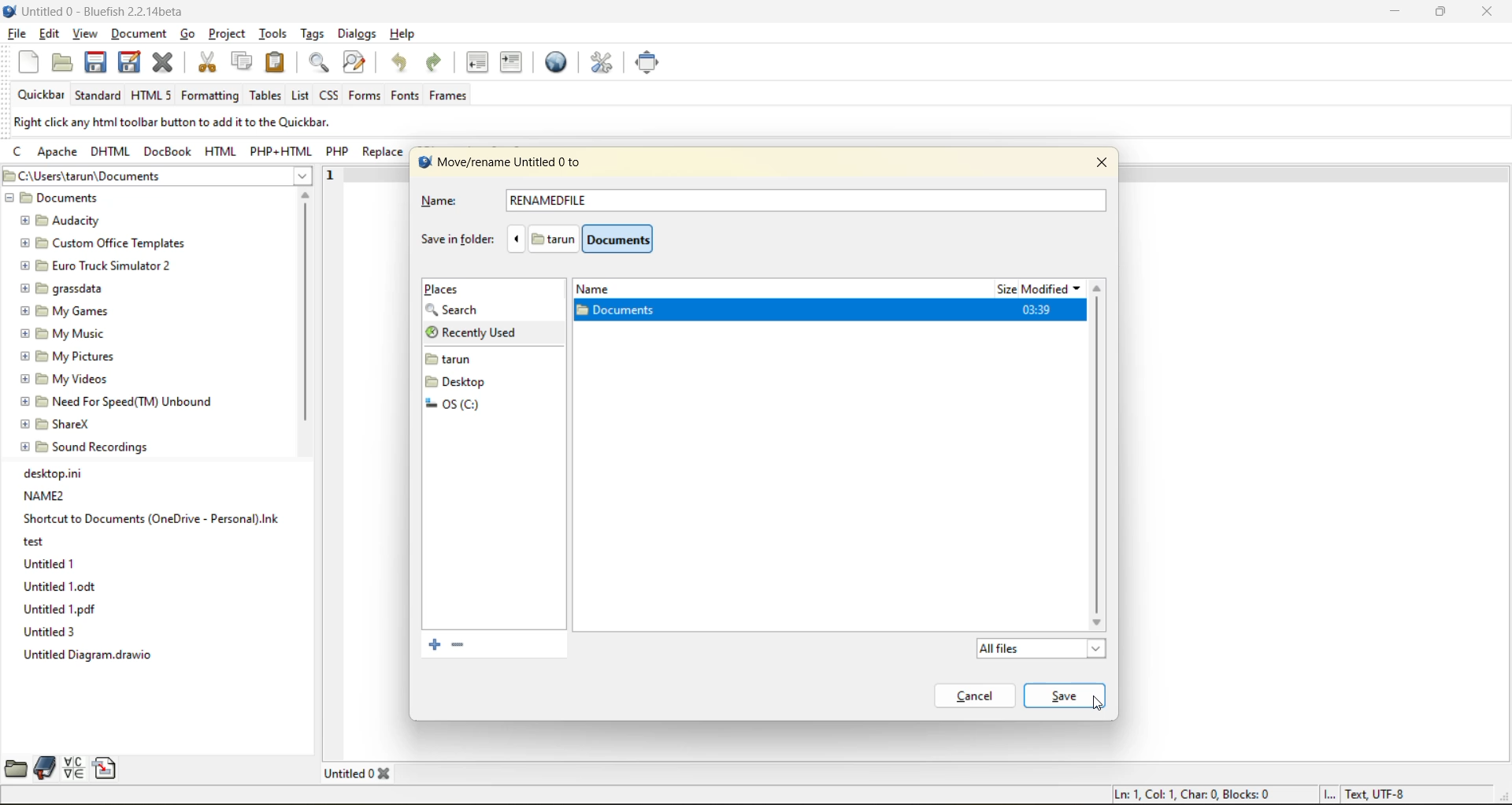 The image size is (1512, 805). Describe the element at coordinates (125, 67) in the screenshot. I see `save as` at that location.